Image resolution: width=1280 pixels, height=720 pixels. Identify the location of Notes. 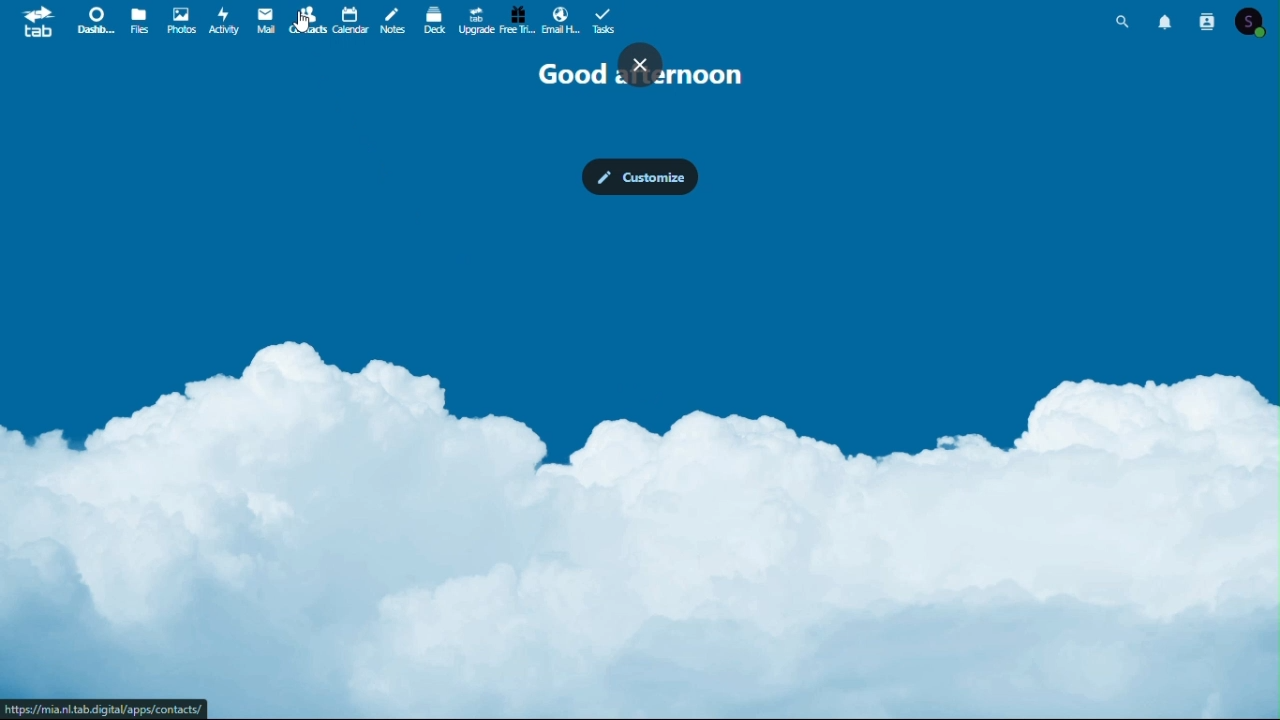
(395, 23).